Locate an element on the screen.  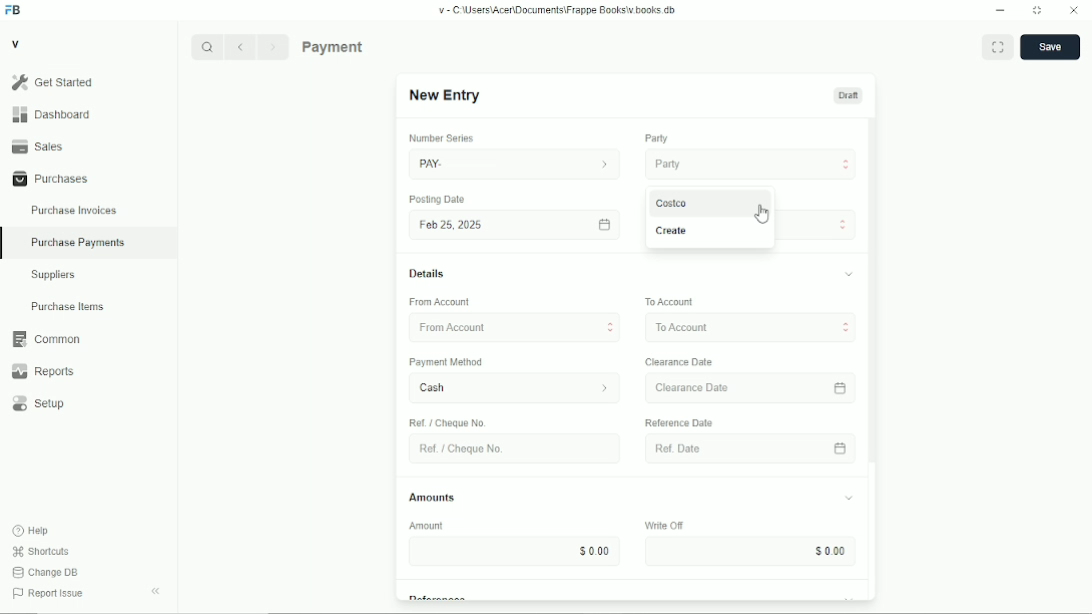
Gel Started is located at coordinates (88, 82).